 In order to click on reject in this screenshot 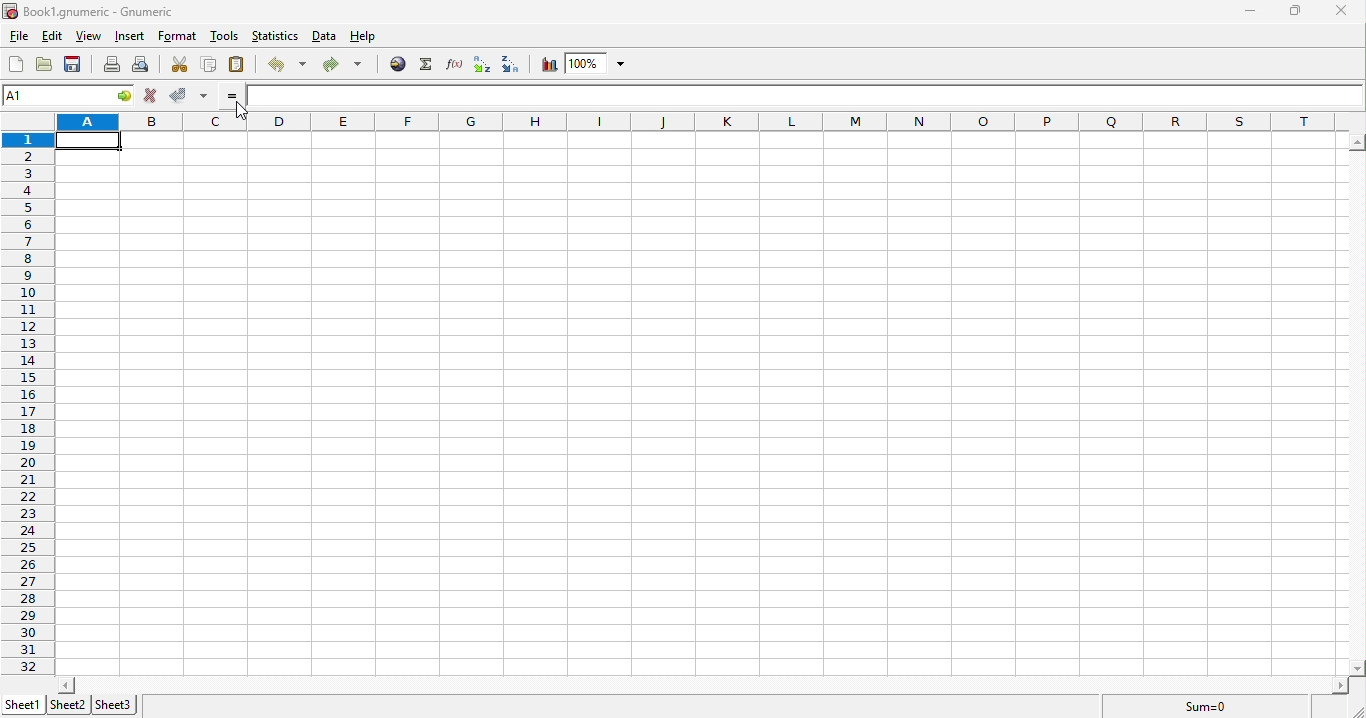, I will do `click(189, 95)`.